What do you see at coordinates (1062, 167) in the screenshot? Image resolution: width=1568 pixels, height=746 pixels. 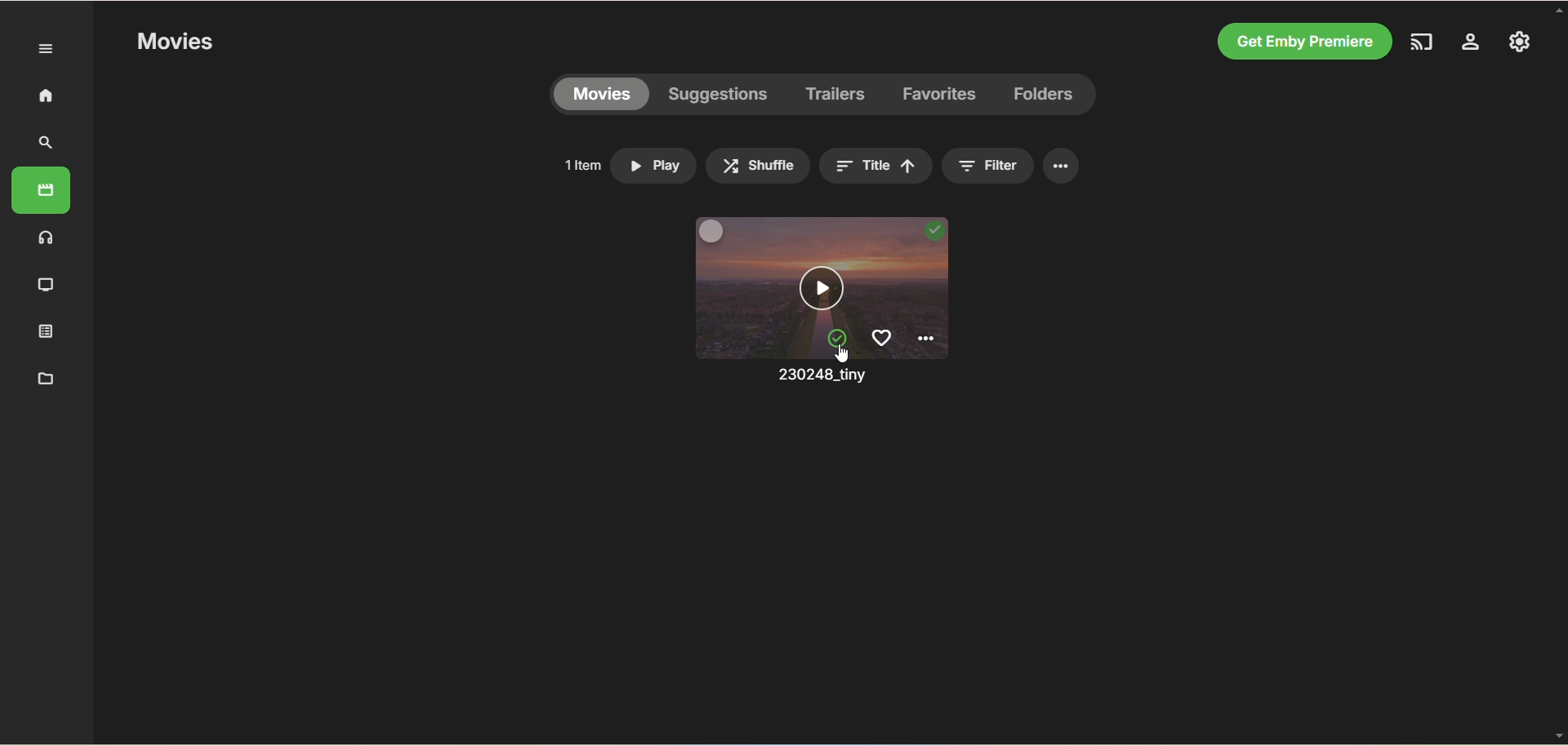 I see `options` at bounding box center [1062, 167].